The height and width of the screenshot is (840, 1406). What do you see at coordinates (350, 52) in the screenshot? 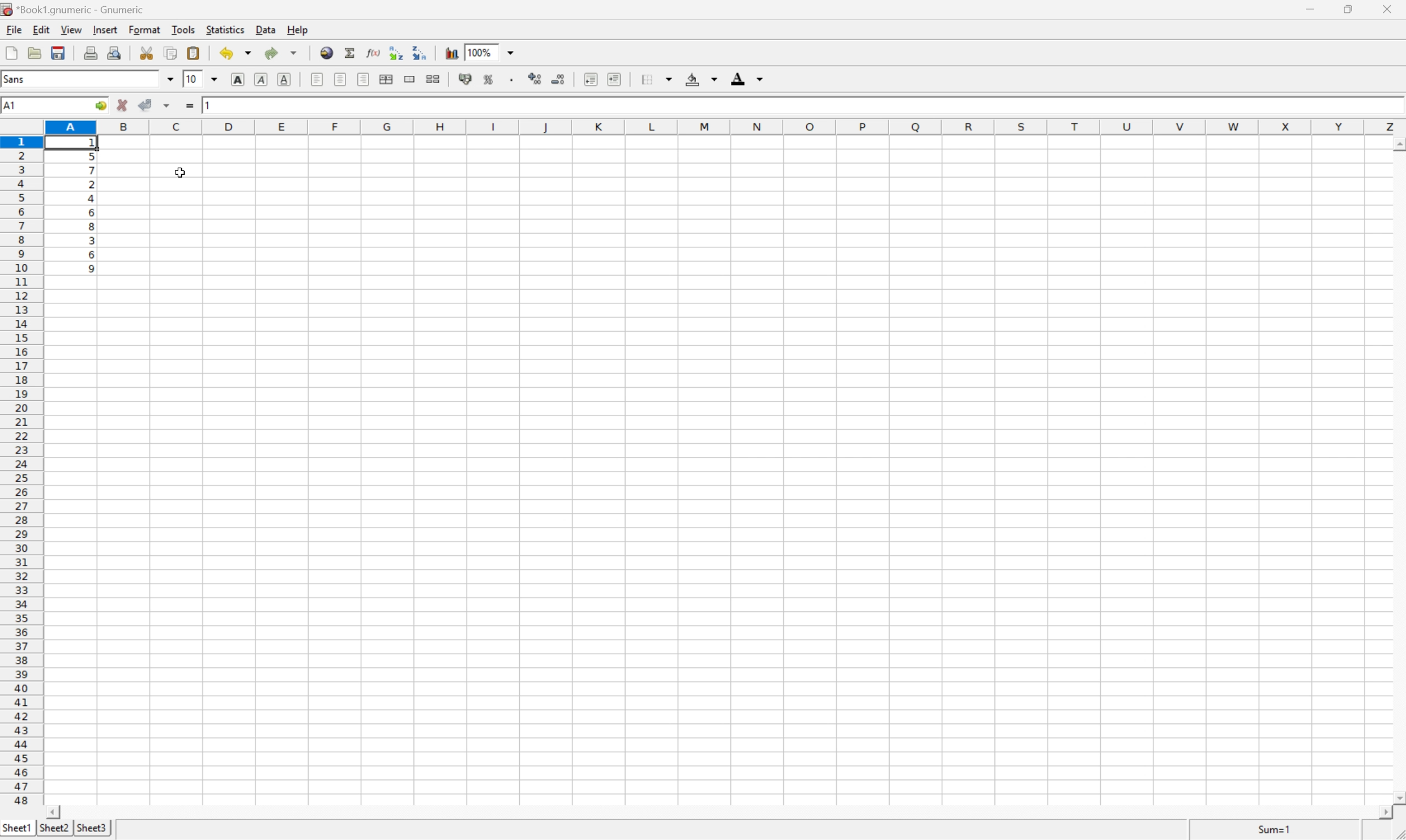
I see `sum in current cell` at bounding box center [350, 52].